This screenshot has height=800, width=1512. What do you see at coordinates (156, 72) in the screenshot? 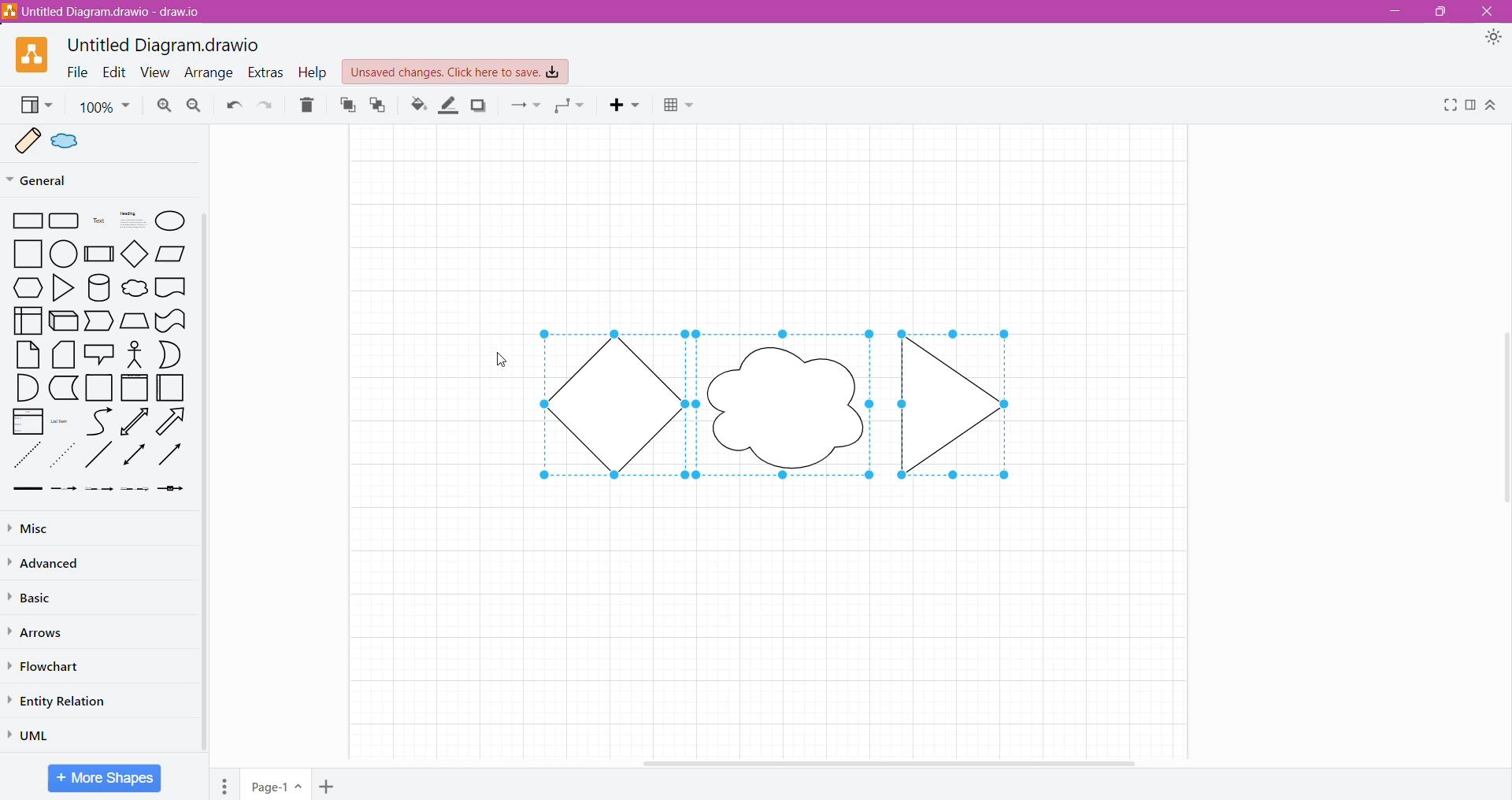
I see `View` at bounding box center [156, 72].